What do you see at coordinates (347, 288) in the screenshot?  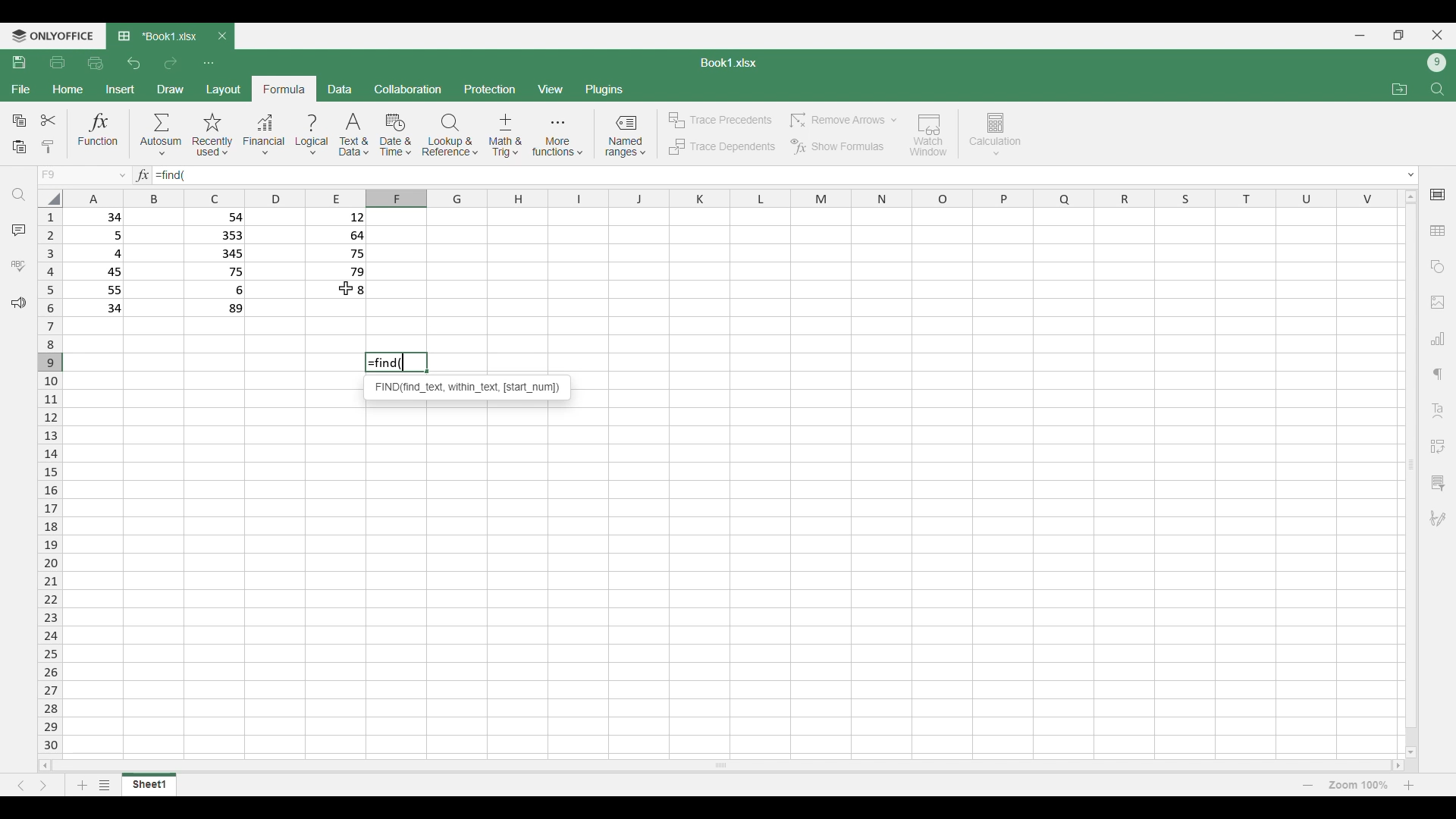 I see `Cursor clicking on cell` at bounding box center [347, 288].